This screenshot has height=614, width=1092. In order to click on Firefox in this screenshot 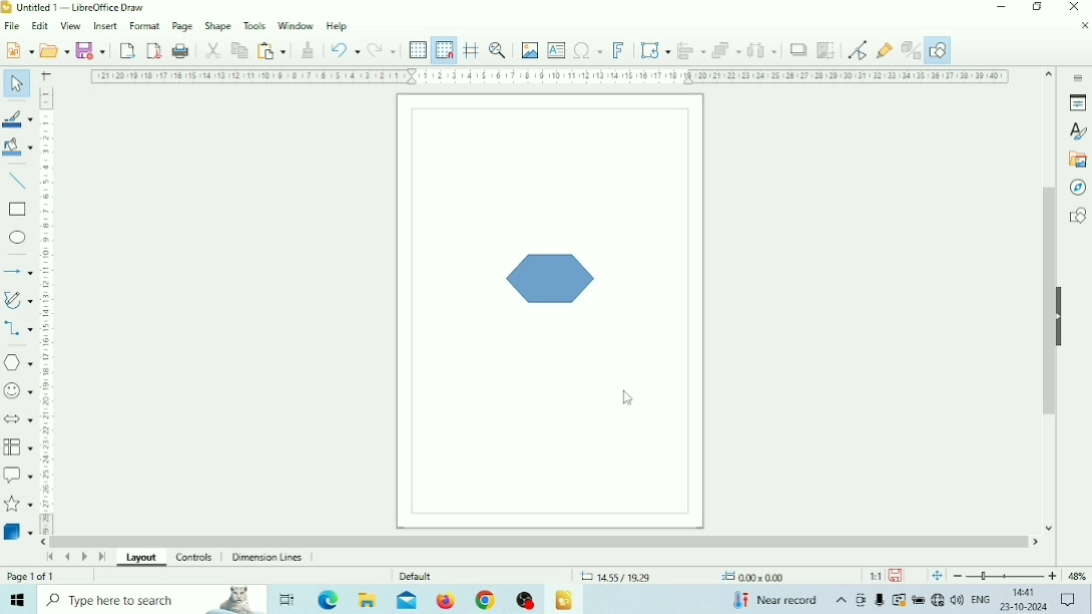, I will do `click(446, 600)`.